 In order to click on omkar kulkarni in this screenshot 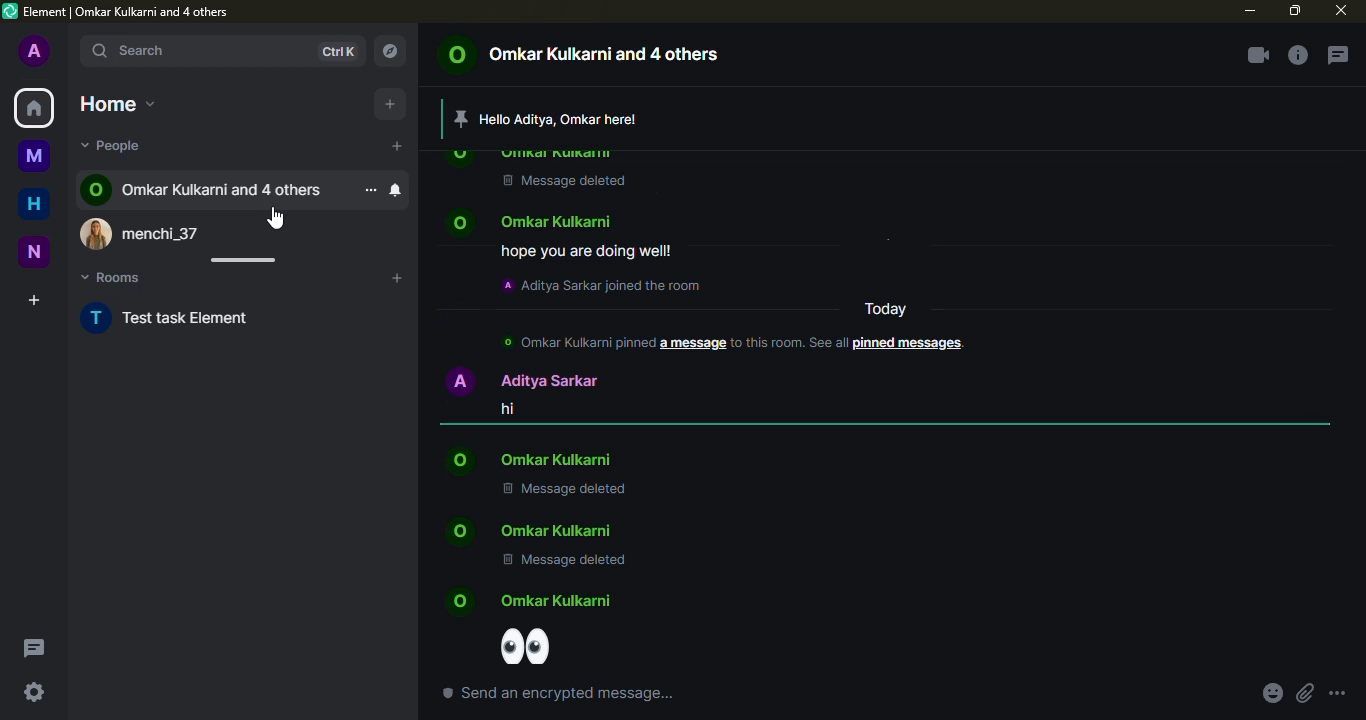, I will do `click(532, 601)`.